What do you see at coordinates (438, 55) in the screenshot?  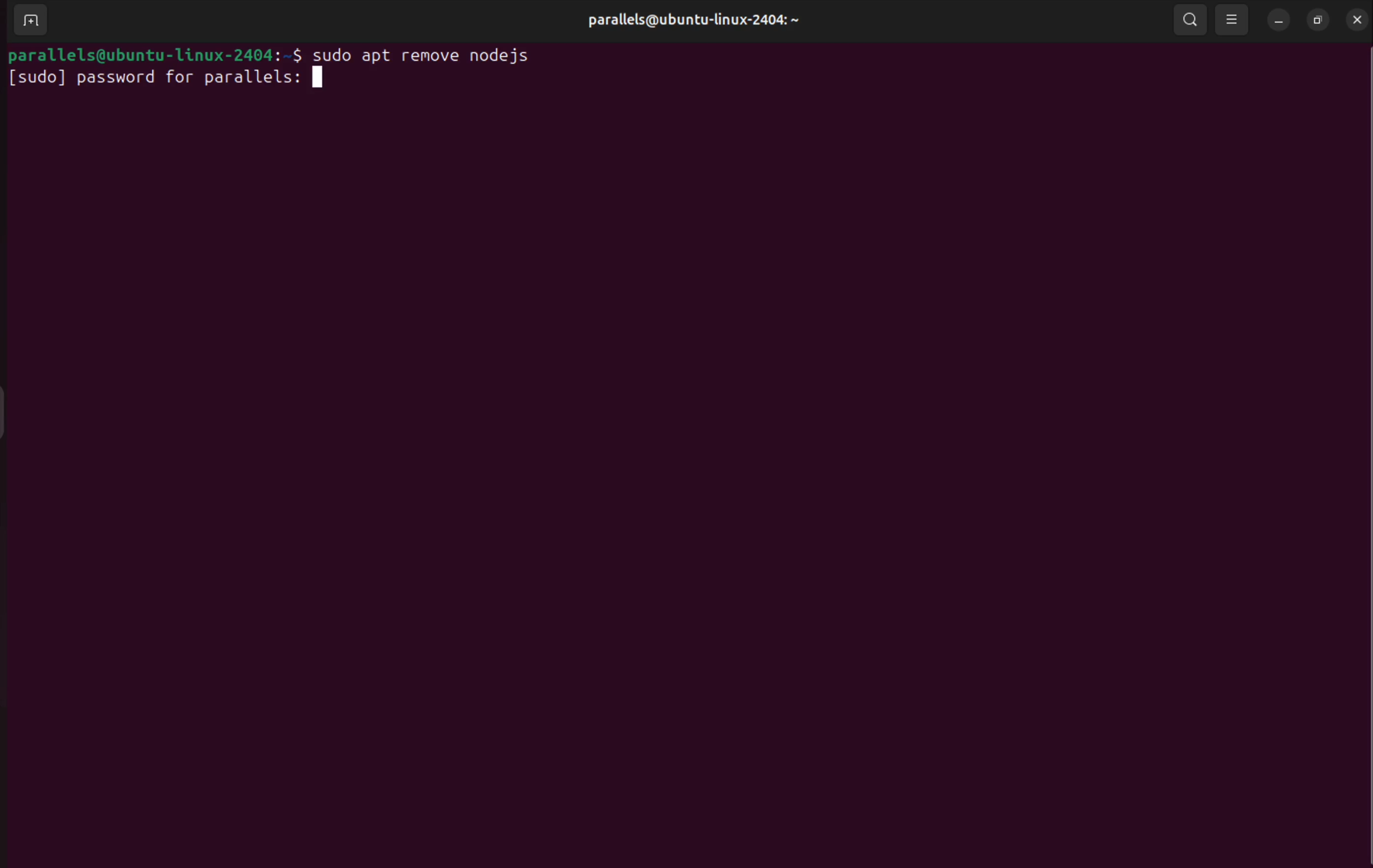 I see `sudo apt remove nodejs` at bounding box center [438, 55].